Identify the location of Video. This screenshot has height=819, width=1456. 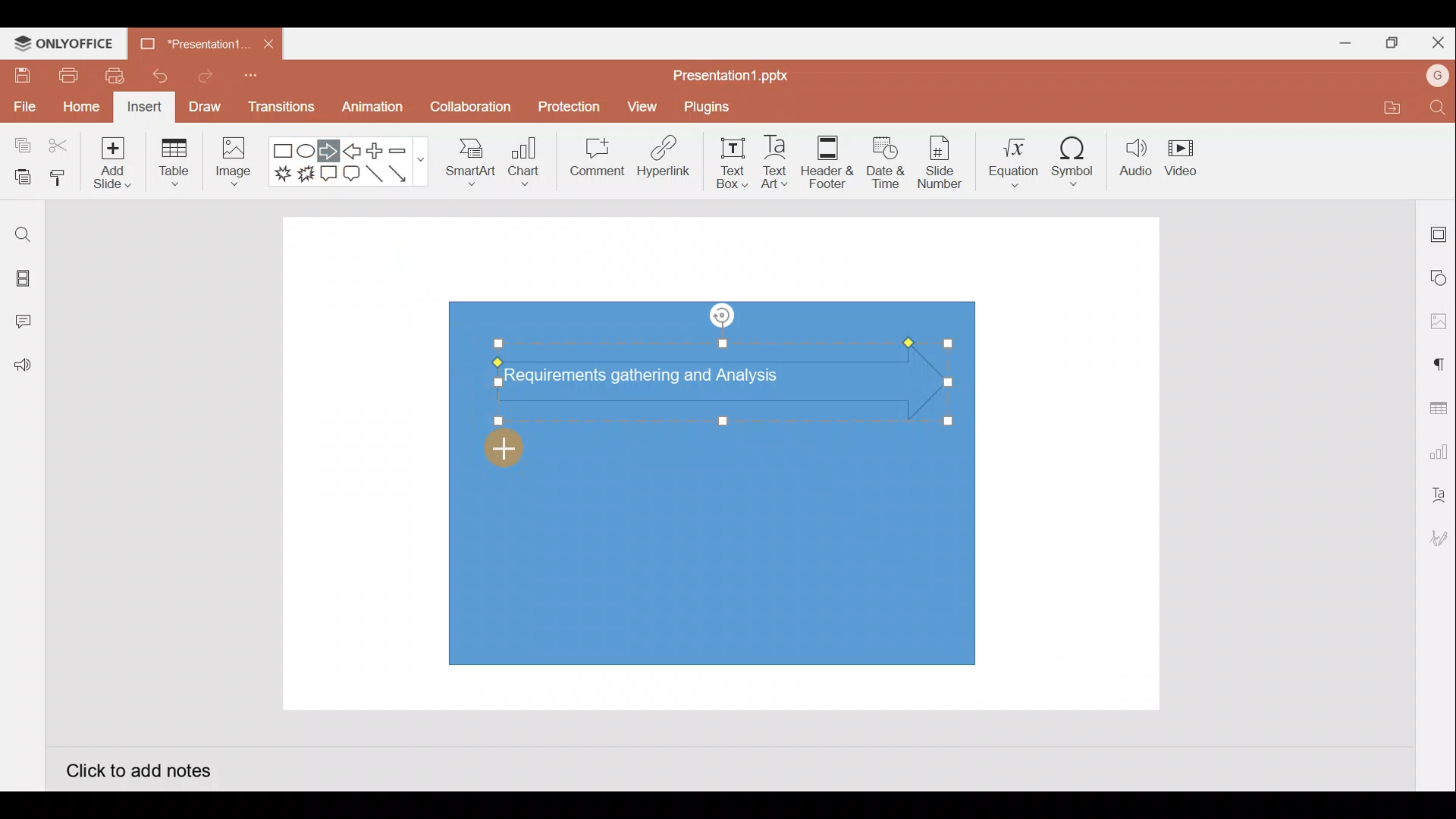
(1183, 155).